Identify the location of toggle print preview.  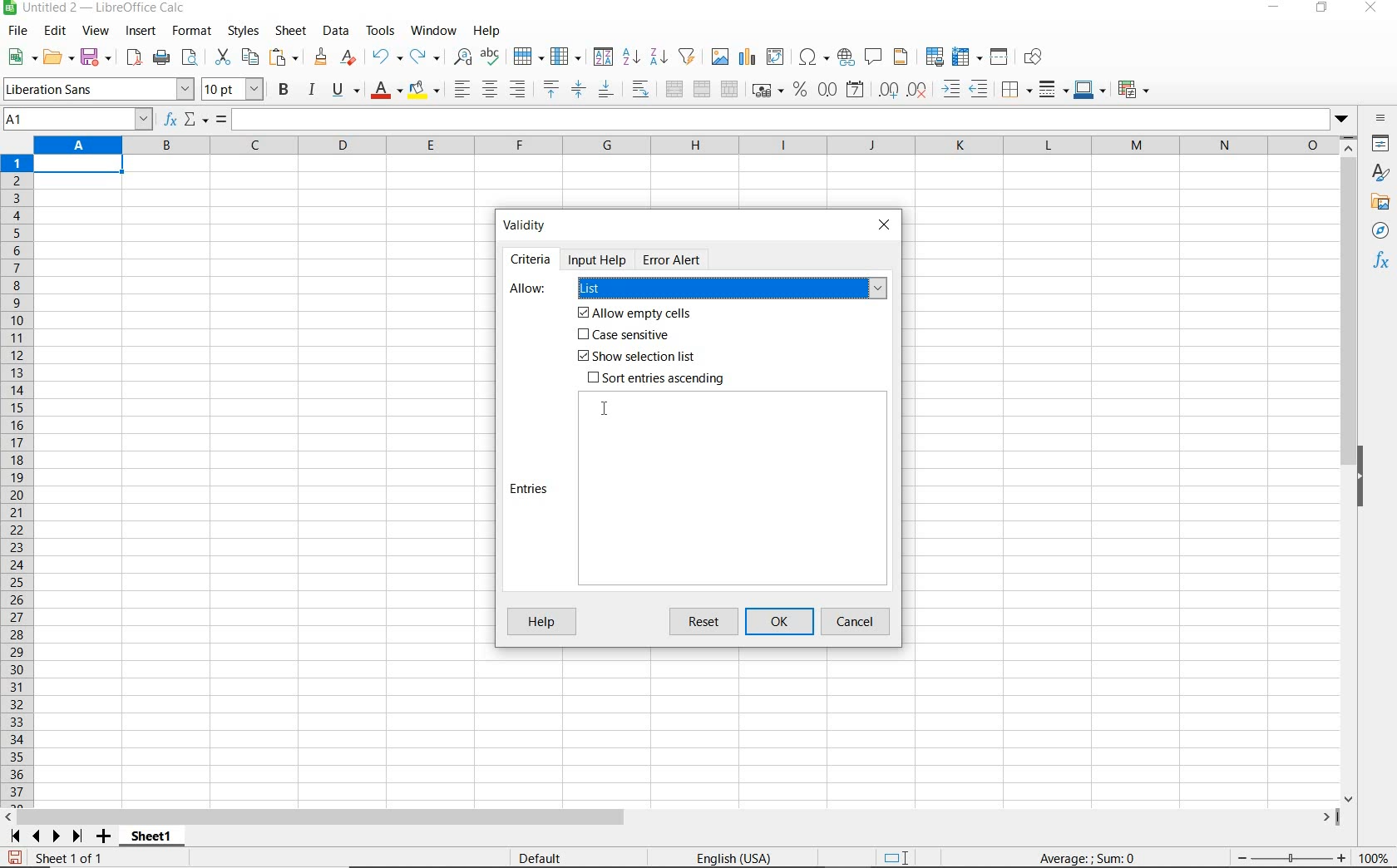
(192, 59).